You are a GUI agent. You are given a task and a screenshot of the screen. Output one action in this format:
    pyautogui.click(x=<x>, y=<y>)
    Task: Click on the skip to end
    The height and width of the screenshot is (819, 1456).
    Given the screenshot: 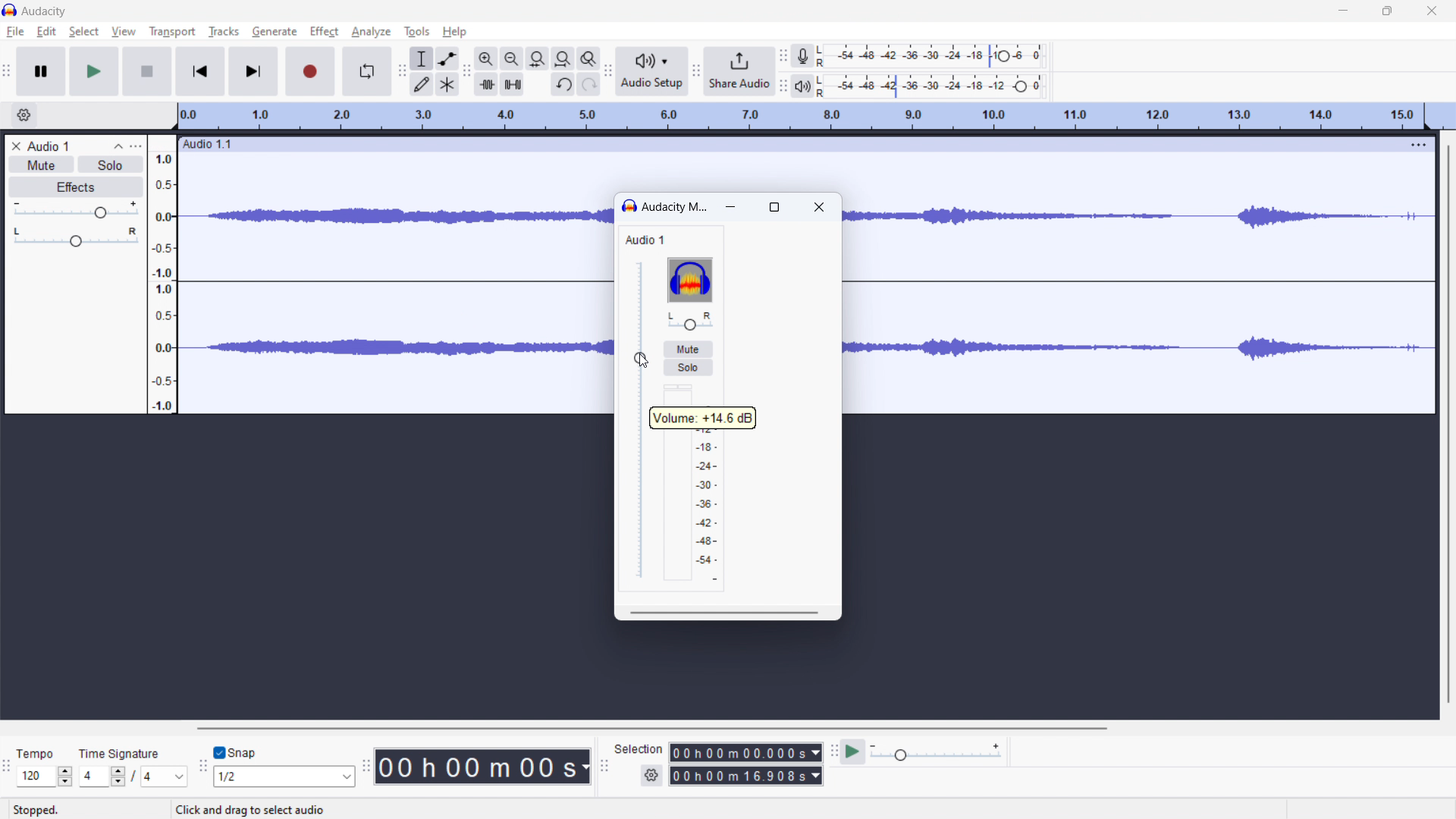 What is the action you would take?
    pyautogui.click(x=255, y=71)
    